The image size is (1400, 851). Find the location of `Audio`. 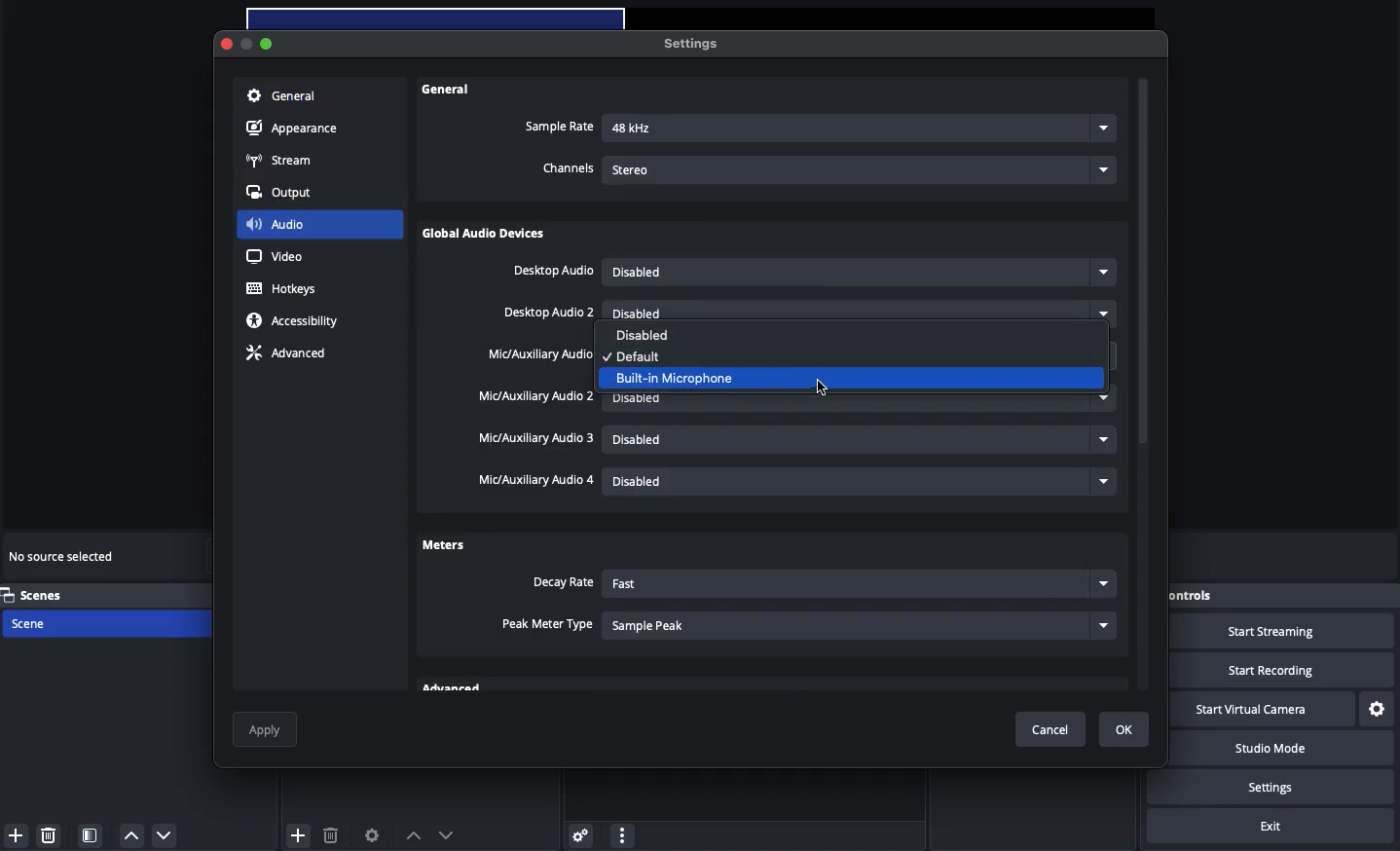

Audio is located at coordinates (276, 223).